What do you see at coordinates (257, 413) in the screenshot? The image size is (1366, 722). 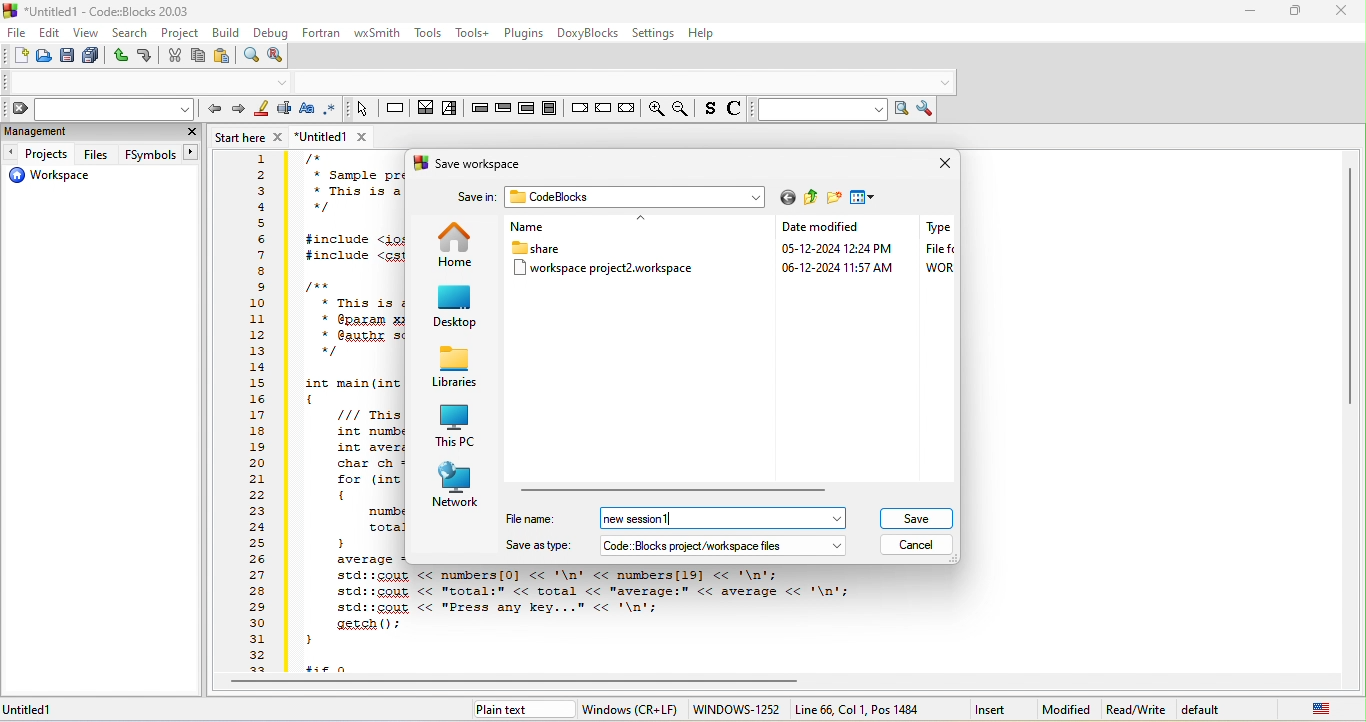 I see `line number` at bounding box center [257, 413].